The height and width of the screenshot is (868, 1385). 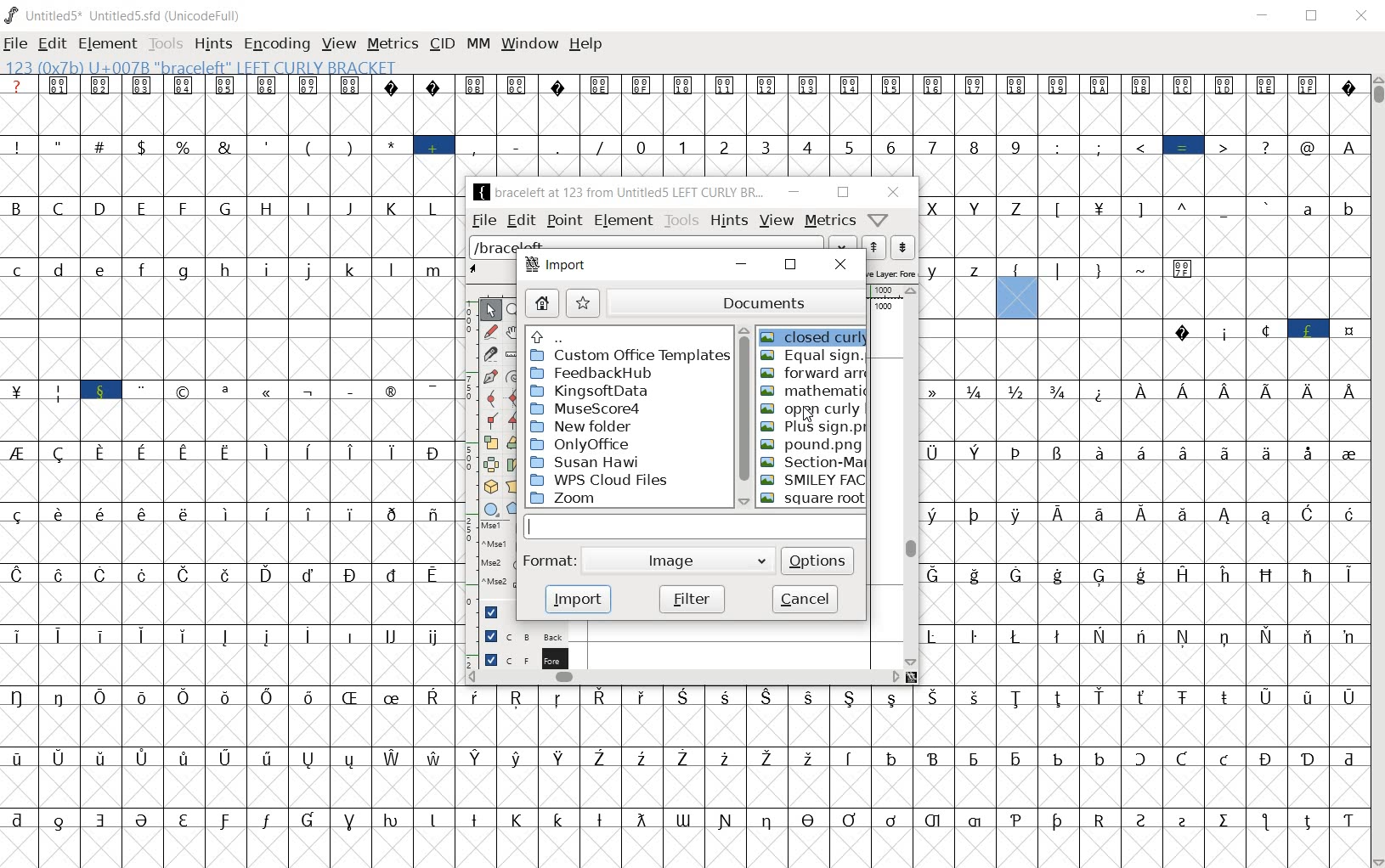 I want to click on show the next word on the list, so click(x=876, y=247).